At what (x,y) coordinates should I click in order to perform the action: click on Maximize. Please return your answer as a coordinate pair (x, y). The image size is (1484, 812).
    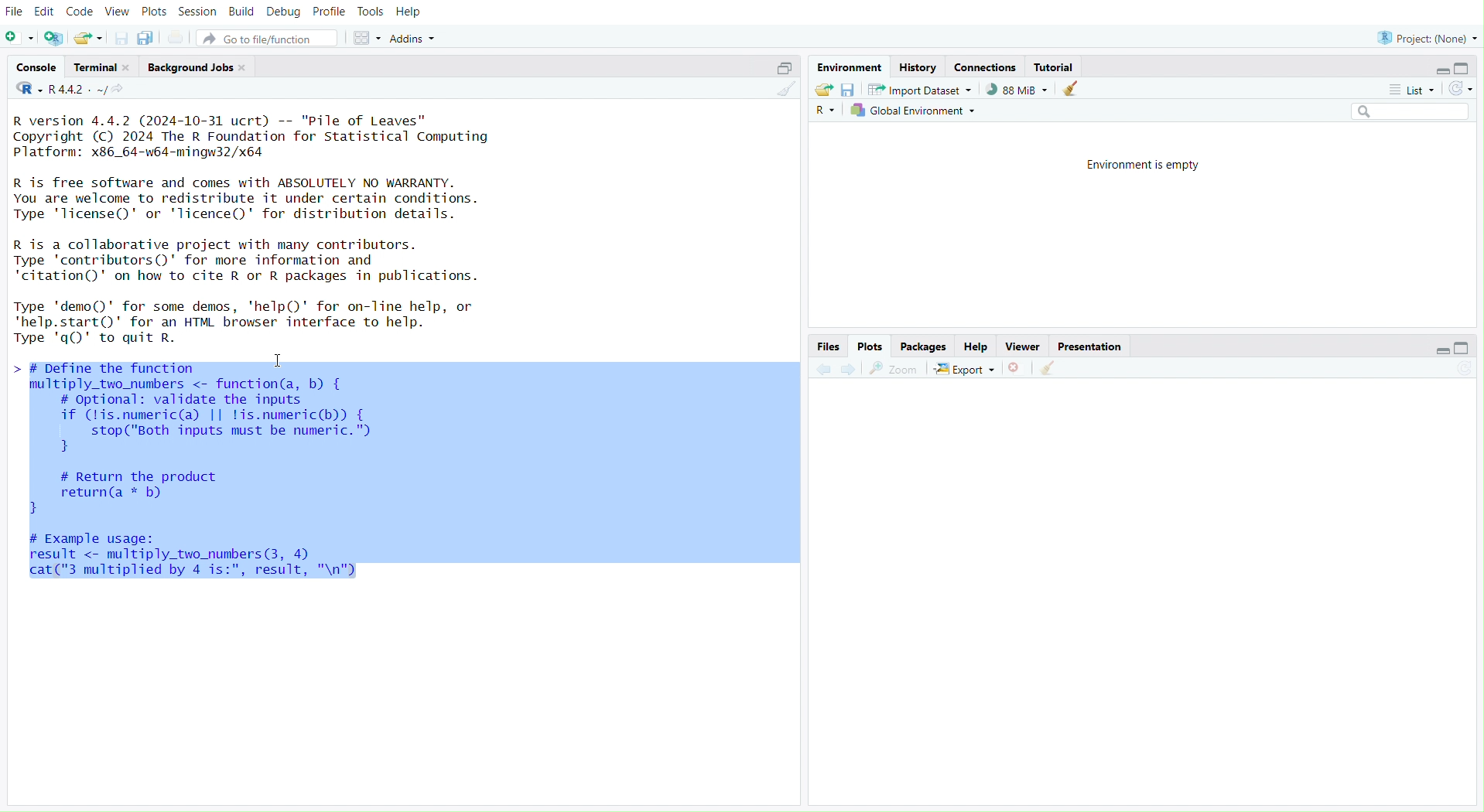
    Looking at the image, I should click on (1469, 347).